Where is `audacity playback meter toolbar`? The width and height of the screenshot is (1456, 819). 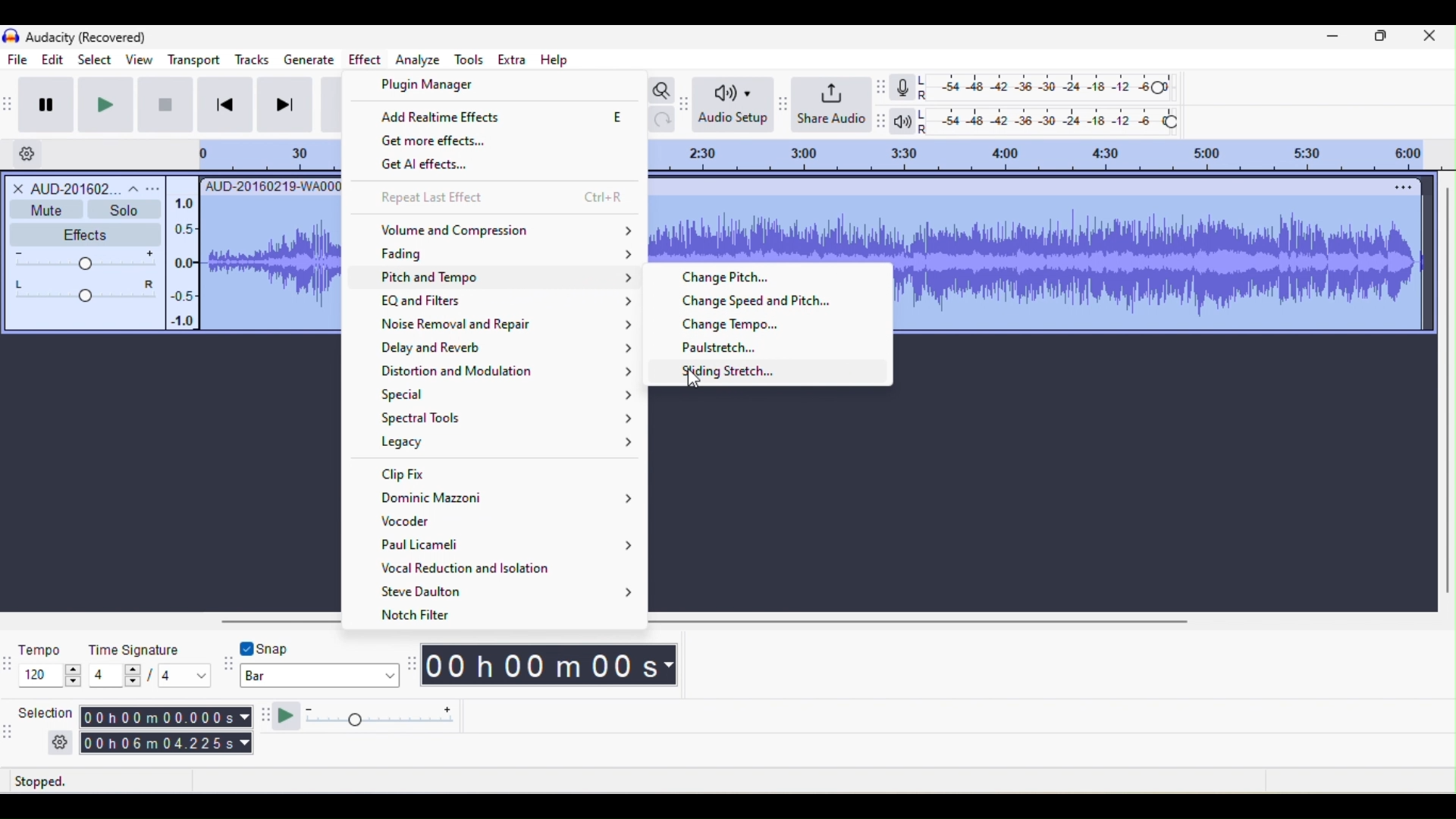
audacity playback meter toolbar is located at coordinates (884, 119).